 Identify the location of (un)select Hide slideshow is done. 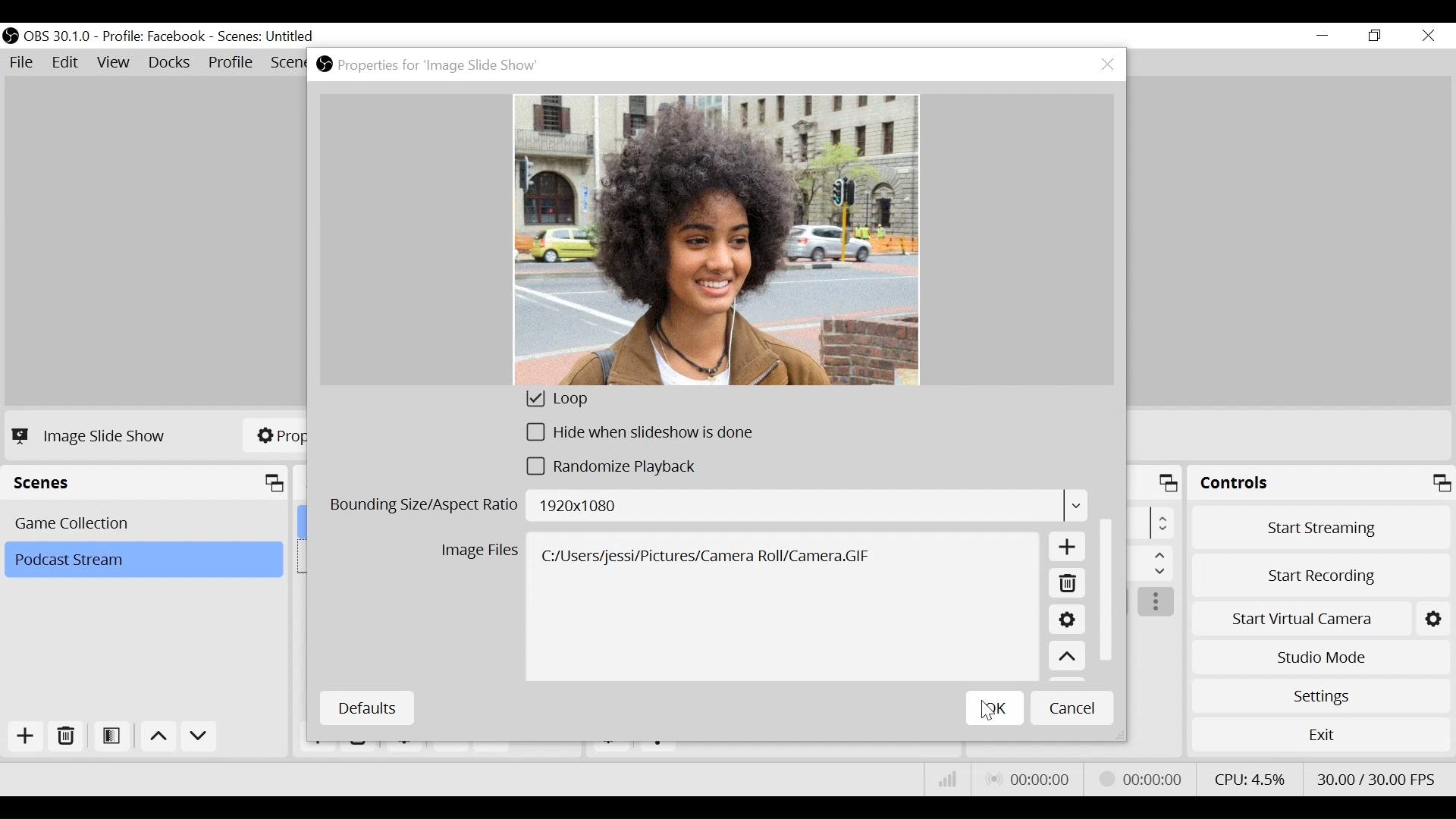
(641, 435).